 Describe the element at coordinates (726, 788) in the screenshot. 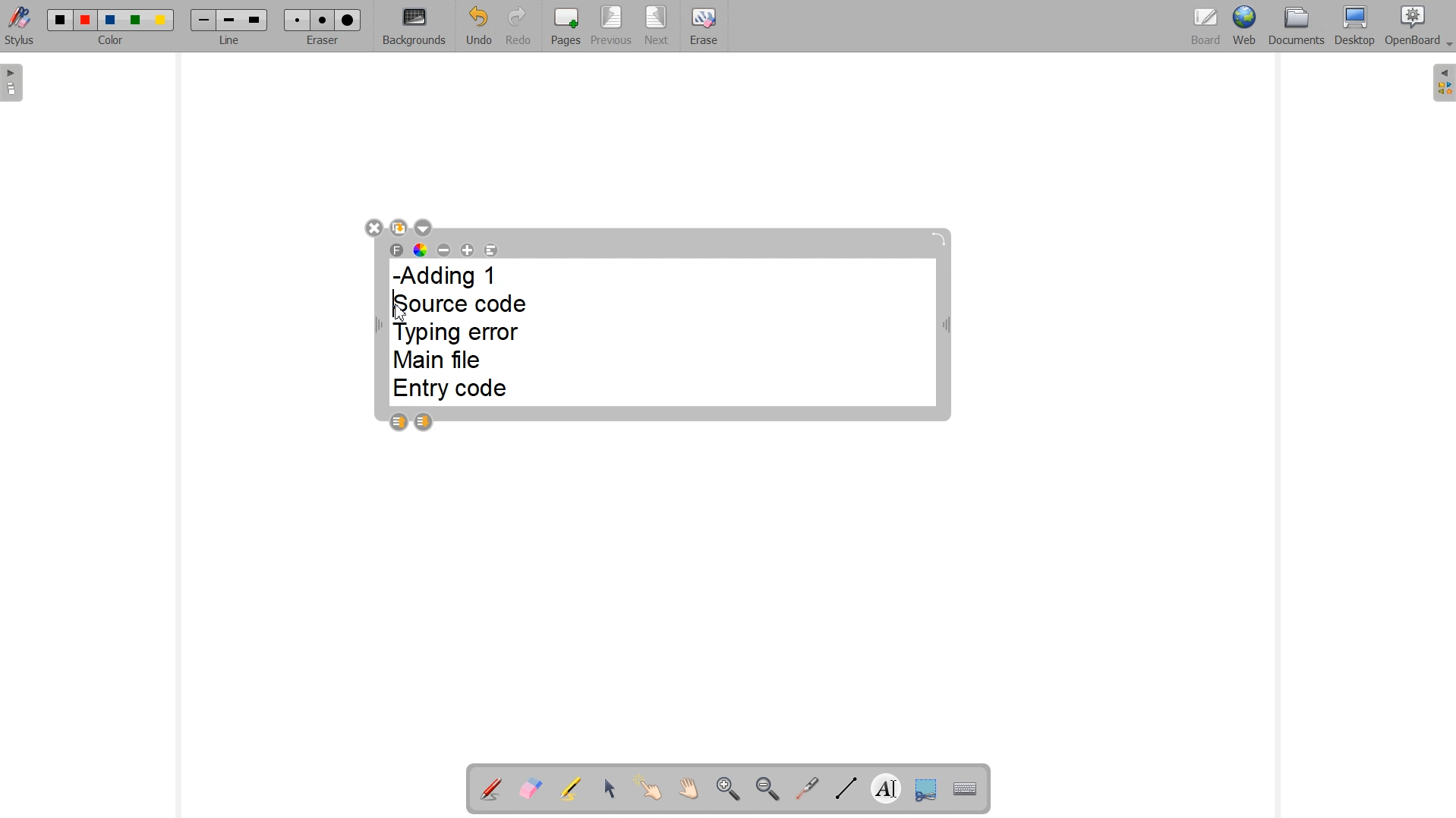

I see `Zoom in` at that location.